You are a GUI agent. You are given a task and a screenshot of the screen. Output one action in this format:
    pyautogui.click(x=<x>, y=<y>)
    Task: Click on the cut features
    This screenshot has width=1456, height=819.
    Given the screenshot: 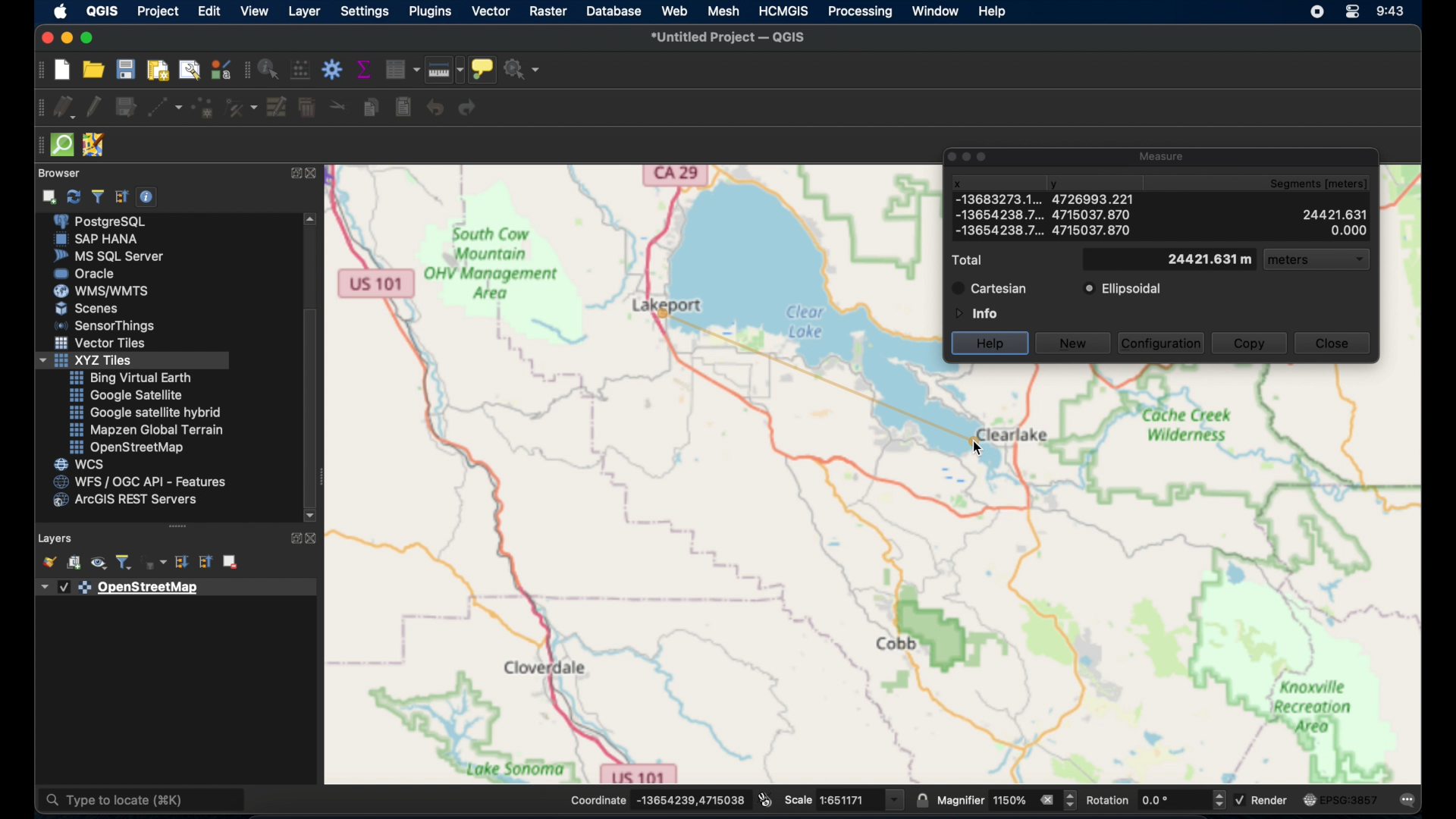 What is the action you would take?
    pyautogui.click(x=335, y=105)
    